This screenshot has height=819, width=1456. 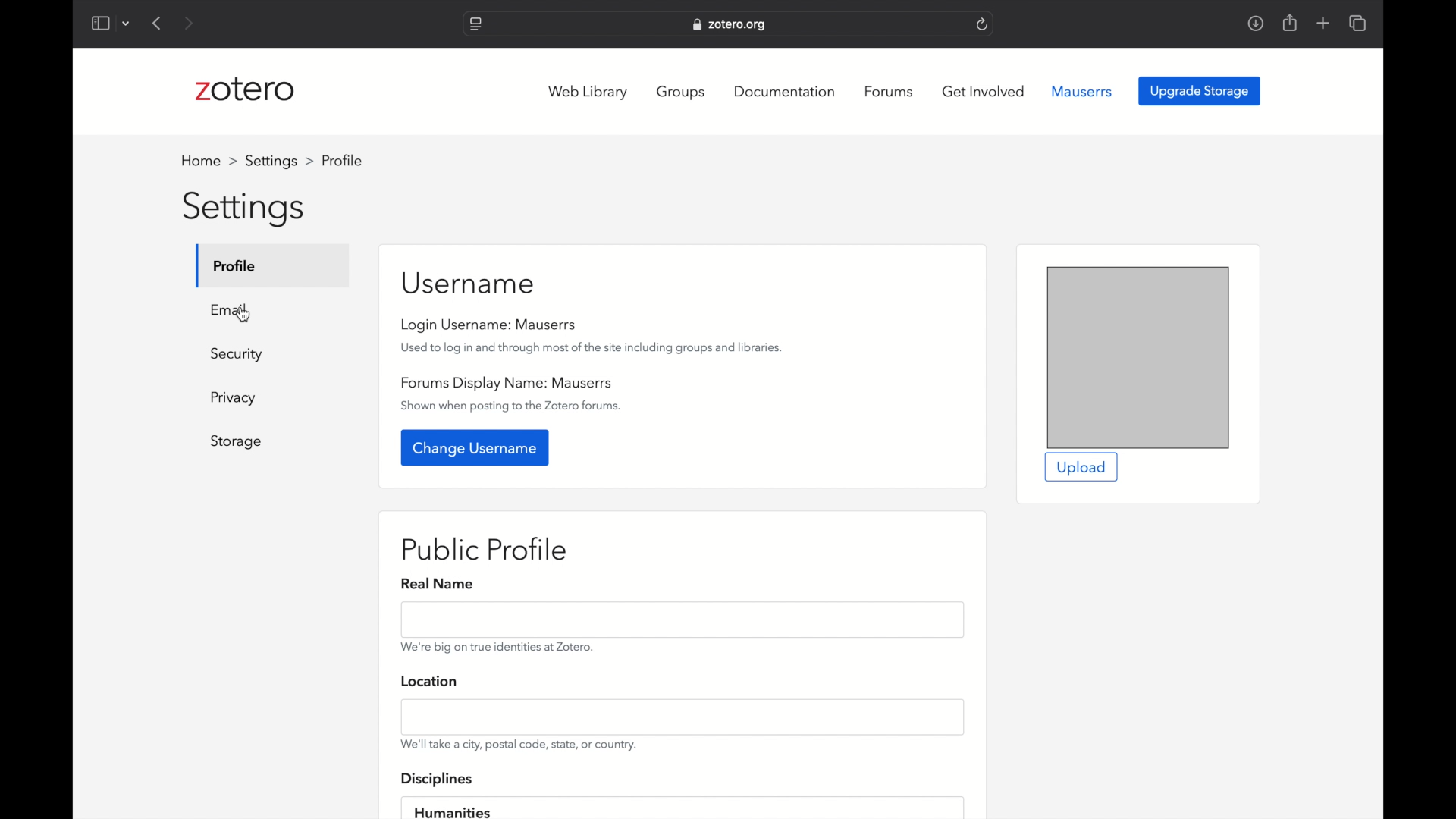 What do you see at coordinates (231, 309) in the screenshot?
I see `email` at bounding box center [231, 309].